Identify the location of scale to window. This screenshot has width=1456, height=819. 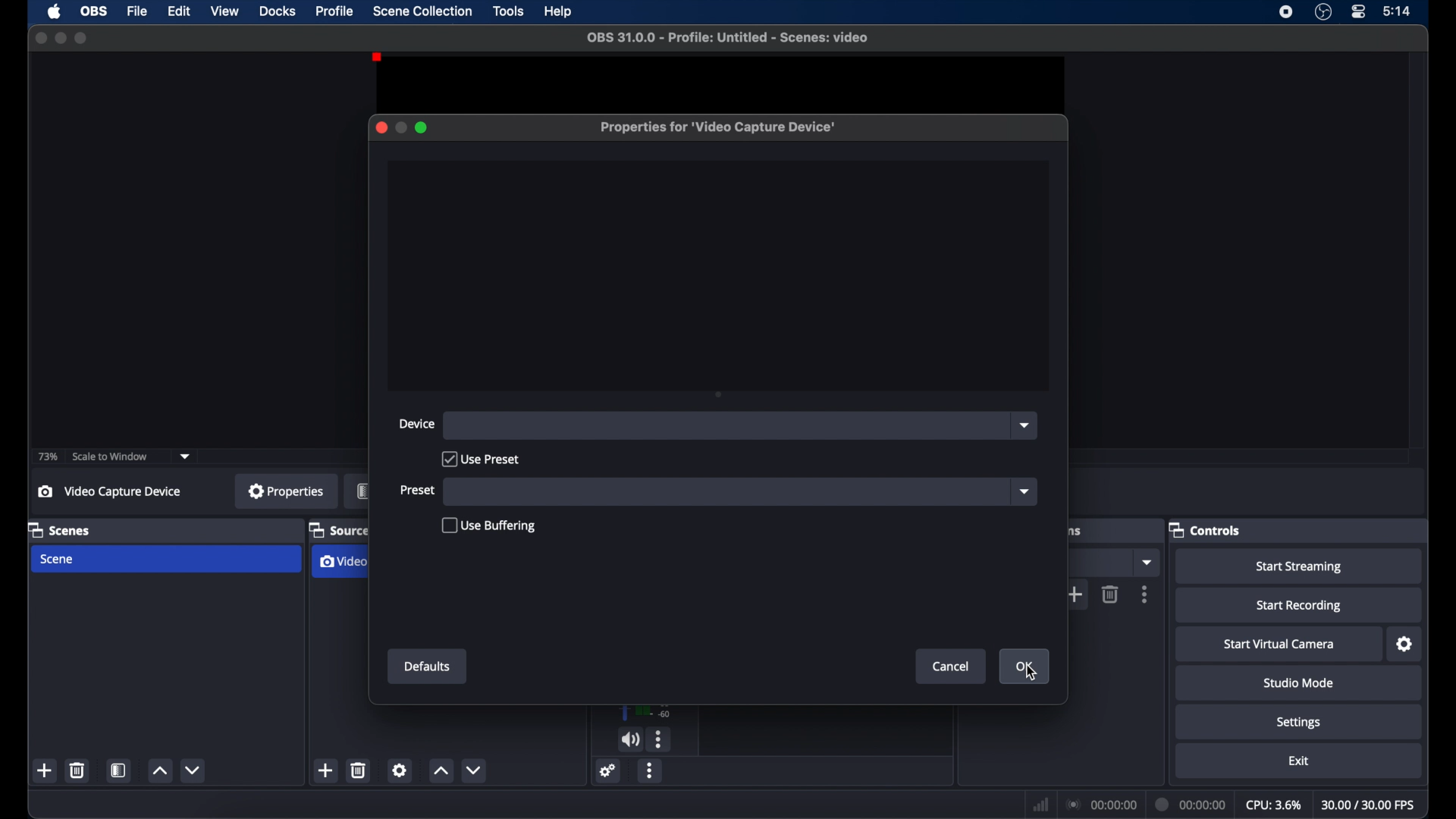
(112, 457).